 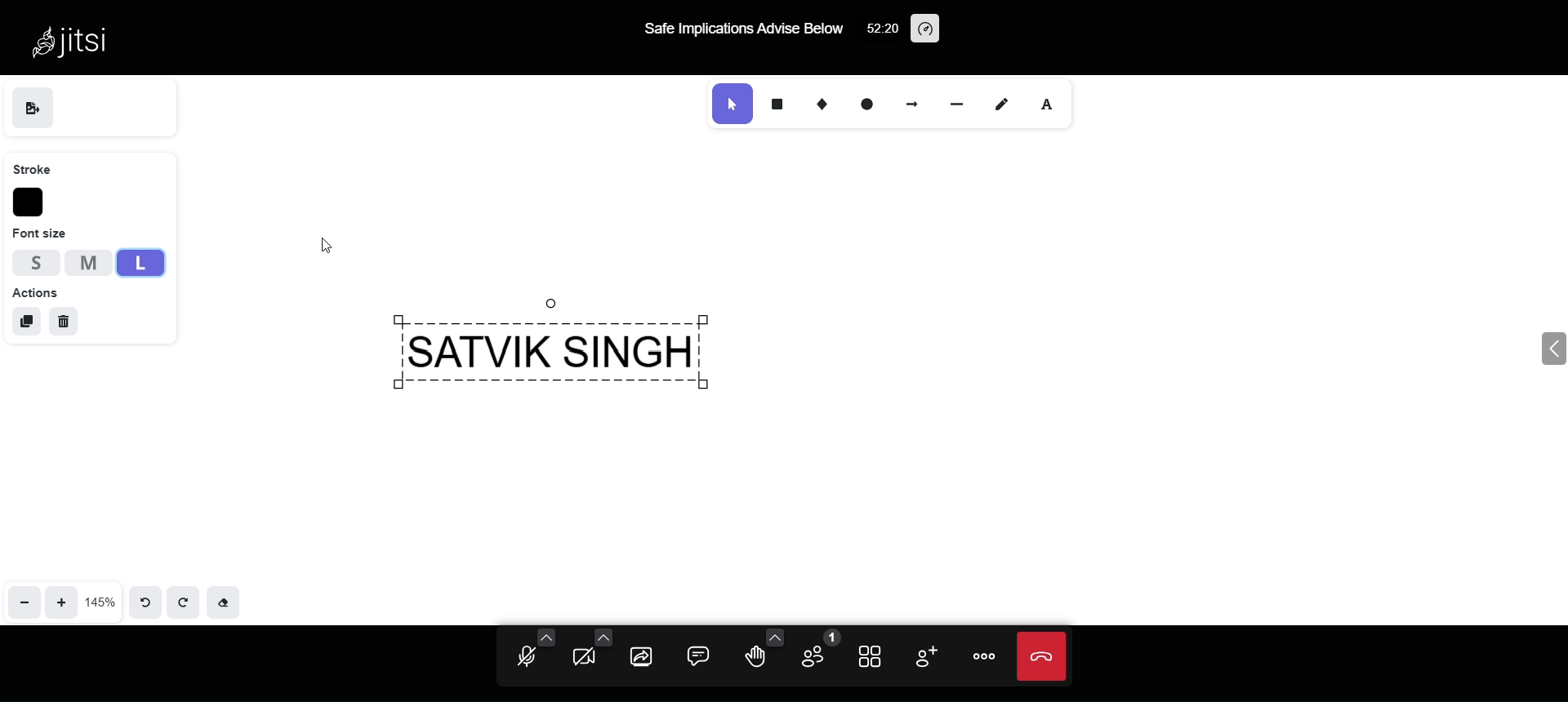 What do you see at coordinates (1529, 352) in the screenshot?
I see `expand` at bounding box center [1529, 352].